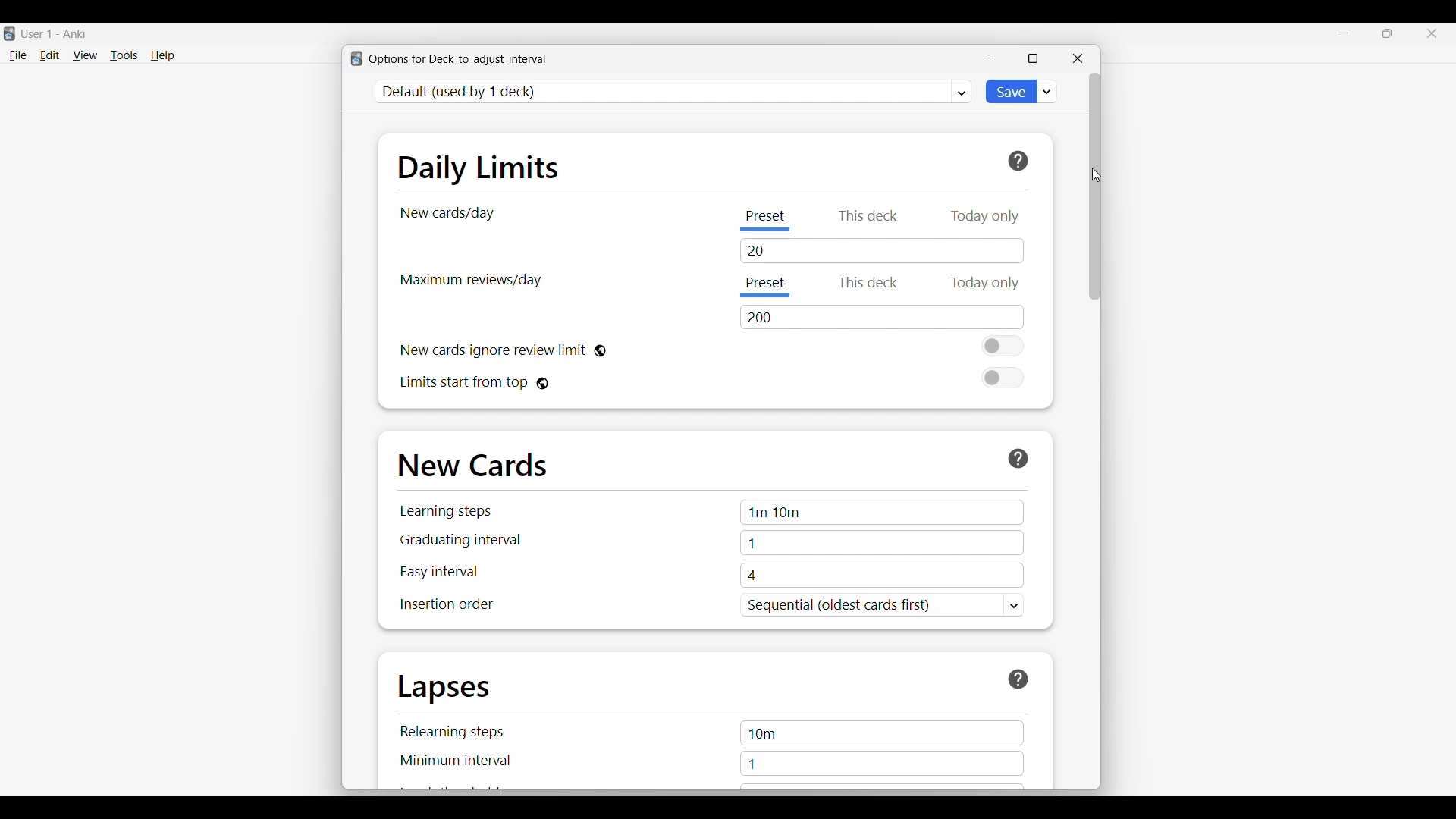 The width and height of the screenshot is (1456, 819). Describe the element at coordinates (469, 281) in the screenshot. I see `Indicates max. reviews/day` at that location.